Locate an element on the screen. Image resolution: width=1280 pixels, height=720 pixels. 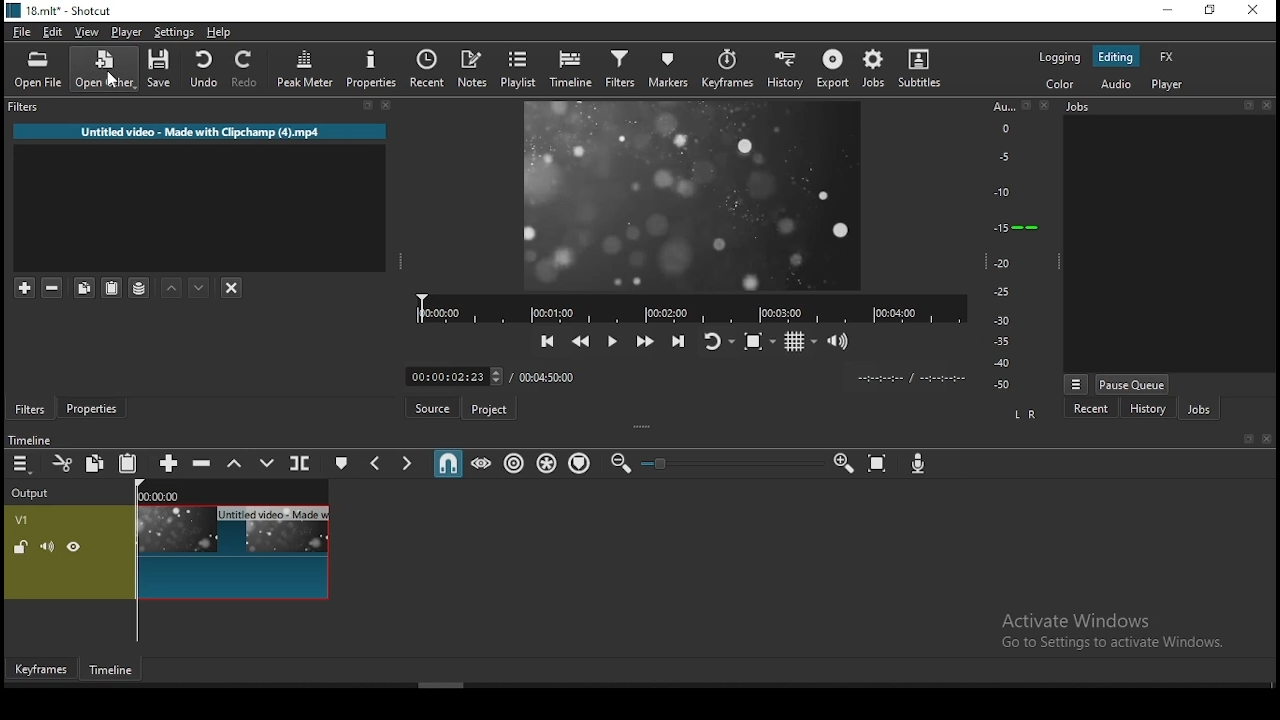
properties is located at coordinates (371, 70).